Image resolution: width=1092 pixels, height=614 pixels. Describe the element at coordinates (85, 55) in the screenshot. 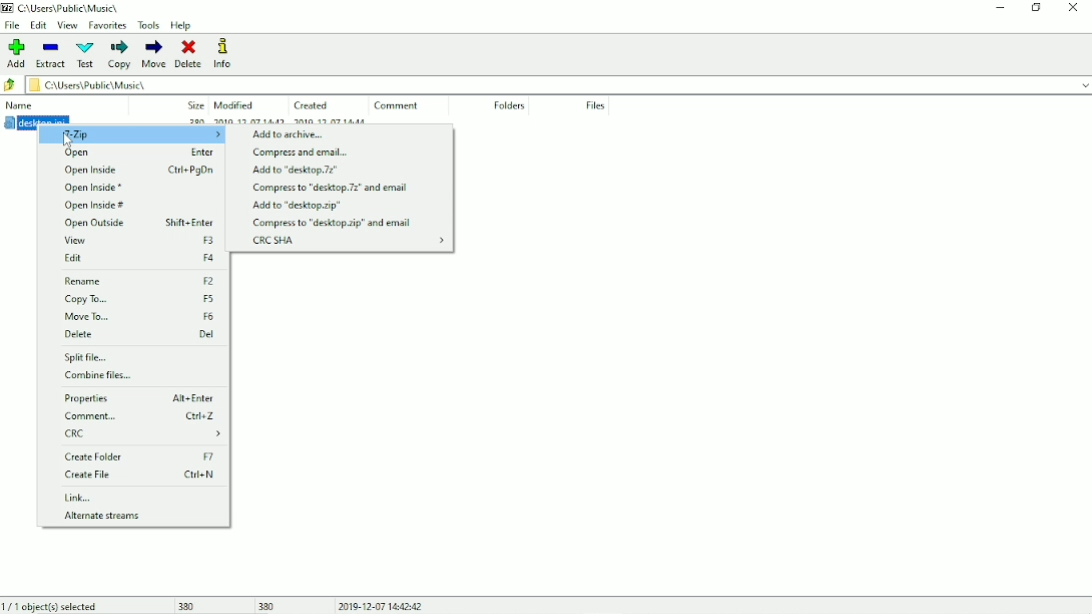

I see `Test` at that location.